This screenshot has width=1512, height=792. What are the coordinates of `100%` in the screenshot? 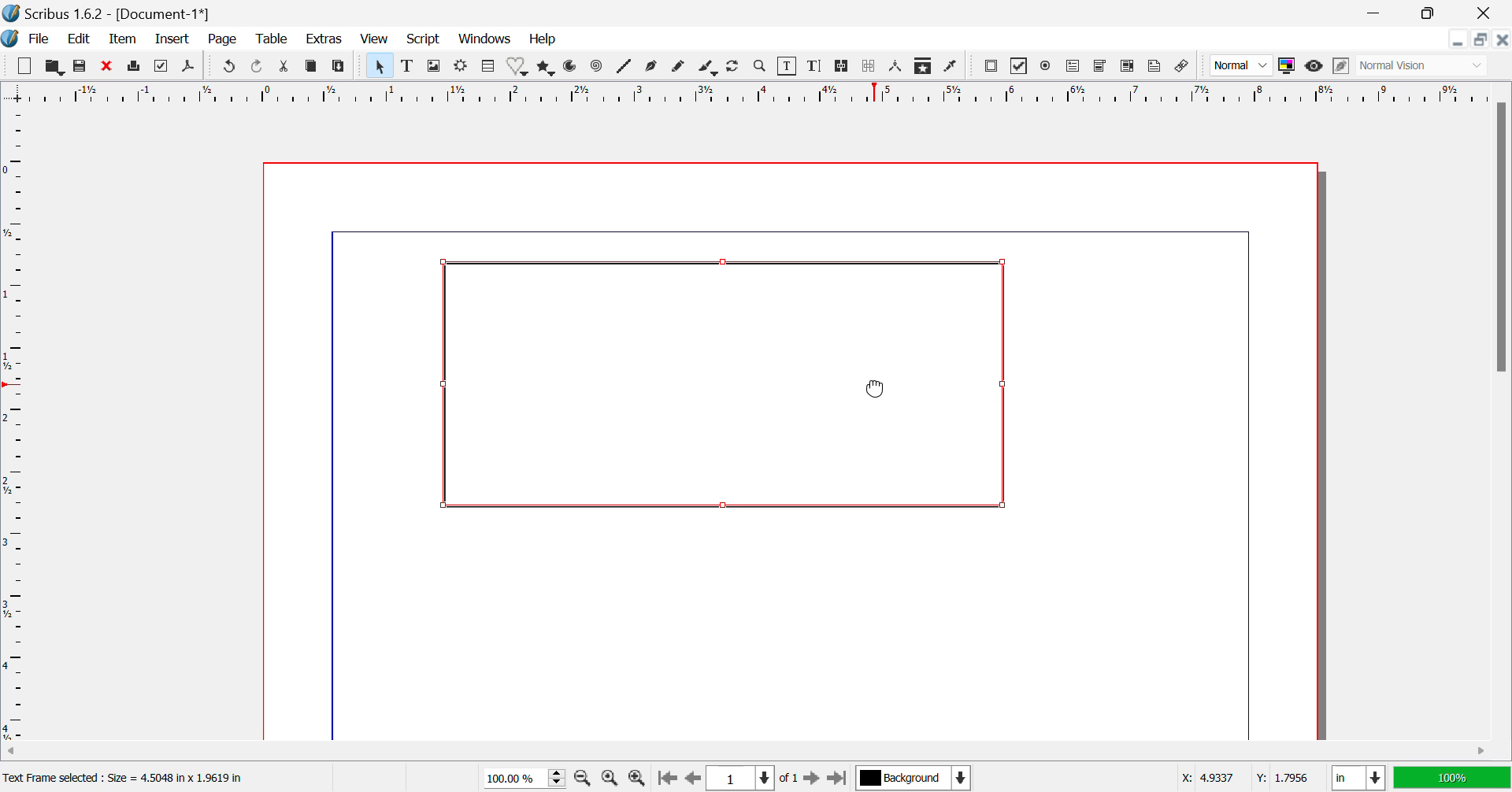 It's located at (1451, 778).